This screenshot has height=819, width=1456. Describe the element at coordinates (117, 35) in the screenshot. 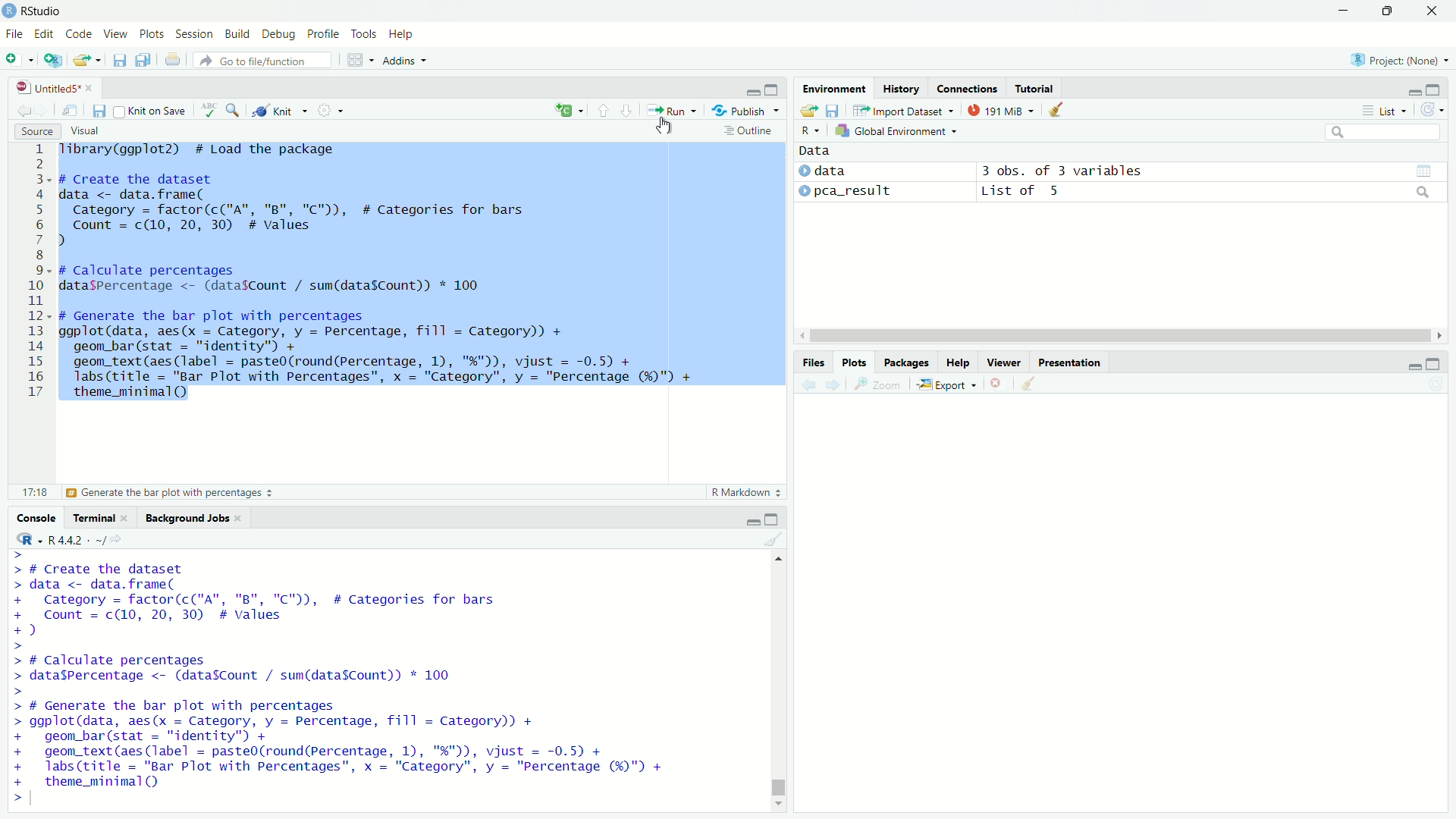

I see `View` at that location.